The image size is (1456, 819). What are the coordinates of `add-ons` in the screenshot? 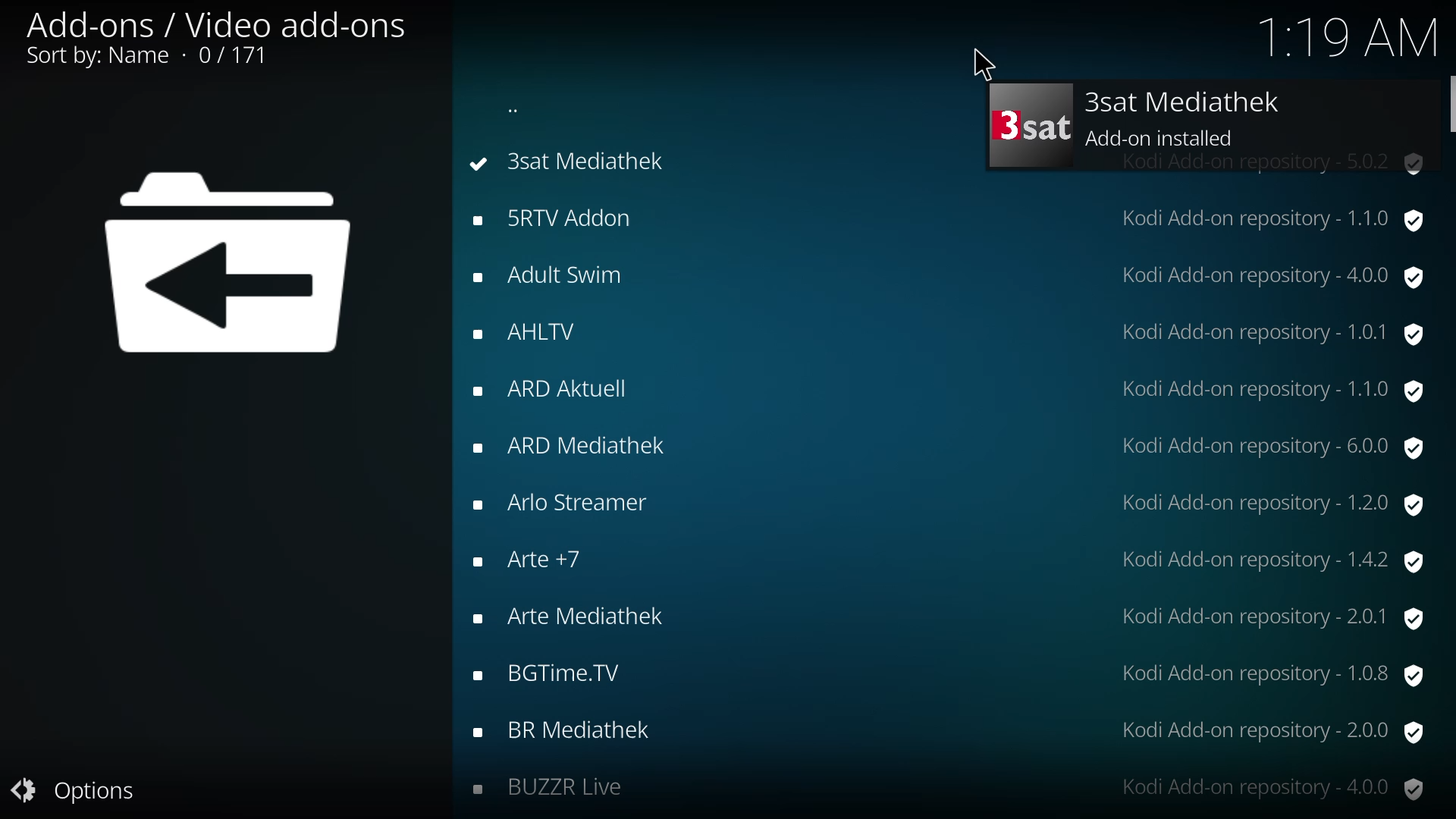 It's located at (533, 557).